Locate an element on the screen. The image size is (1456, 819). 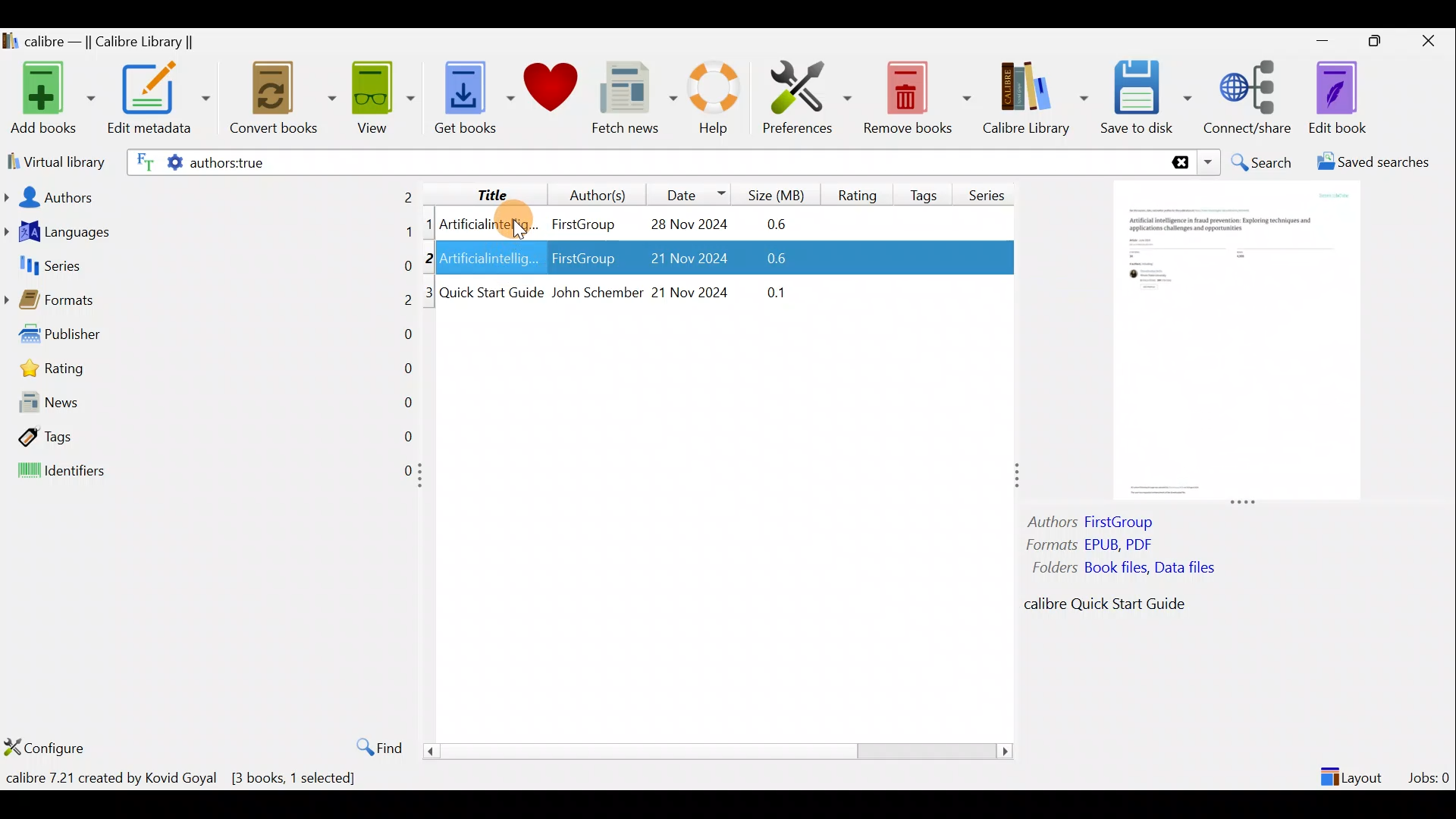
Connect/share is located at coordinates (1250, 95).